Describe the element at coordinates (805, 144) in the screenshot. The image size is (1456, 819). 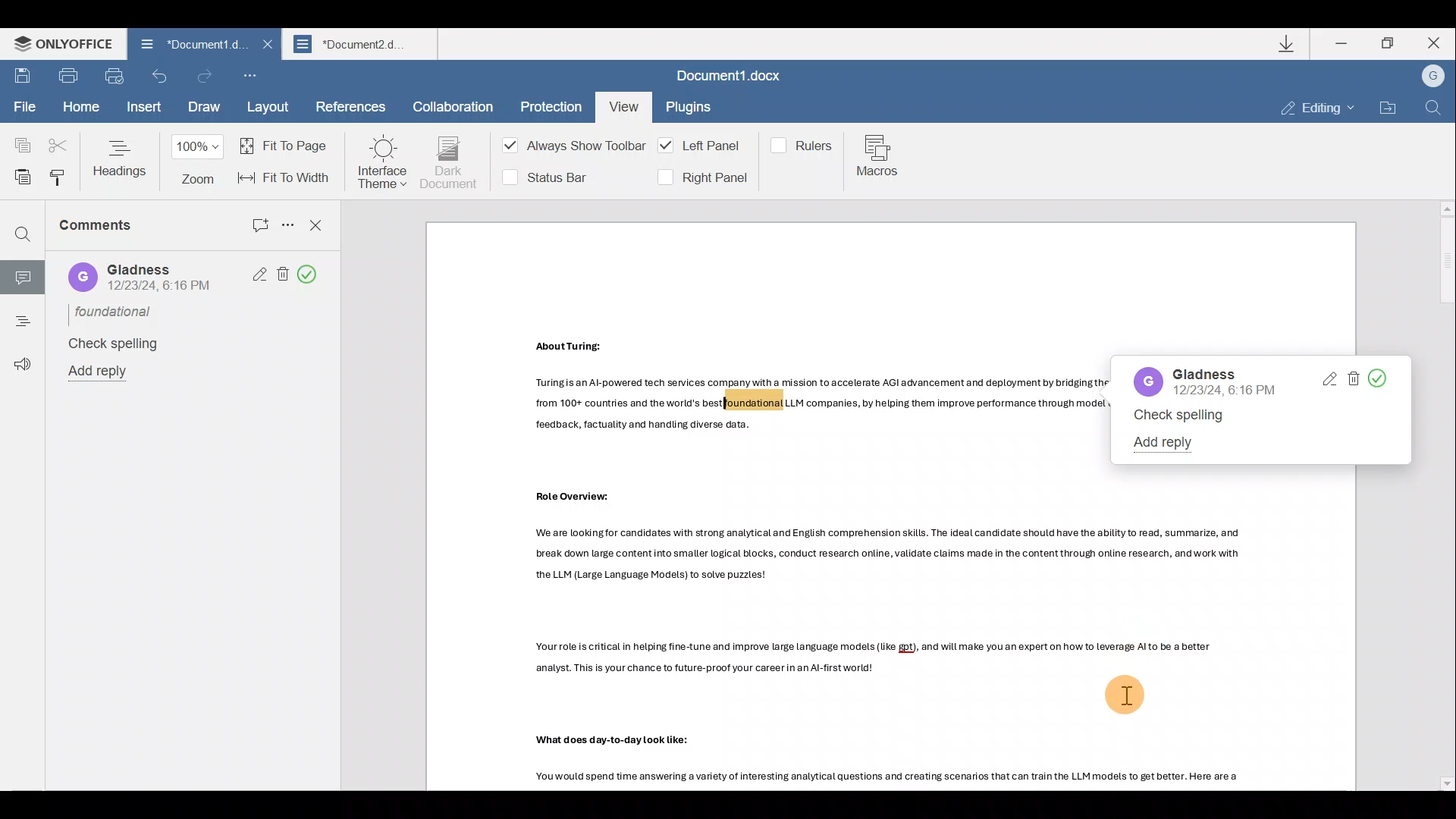
I see `Rulers` at that location.